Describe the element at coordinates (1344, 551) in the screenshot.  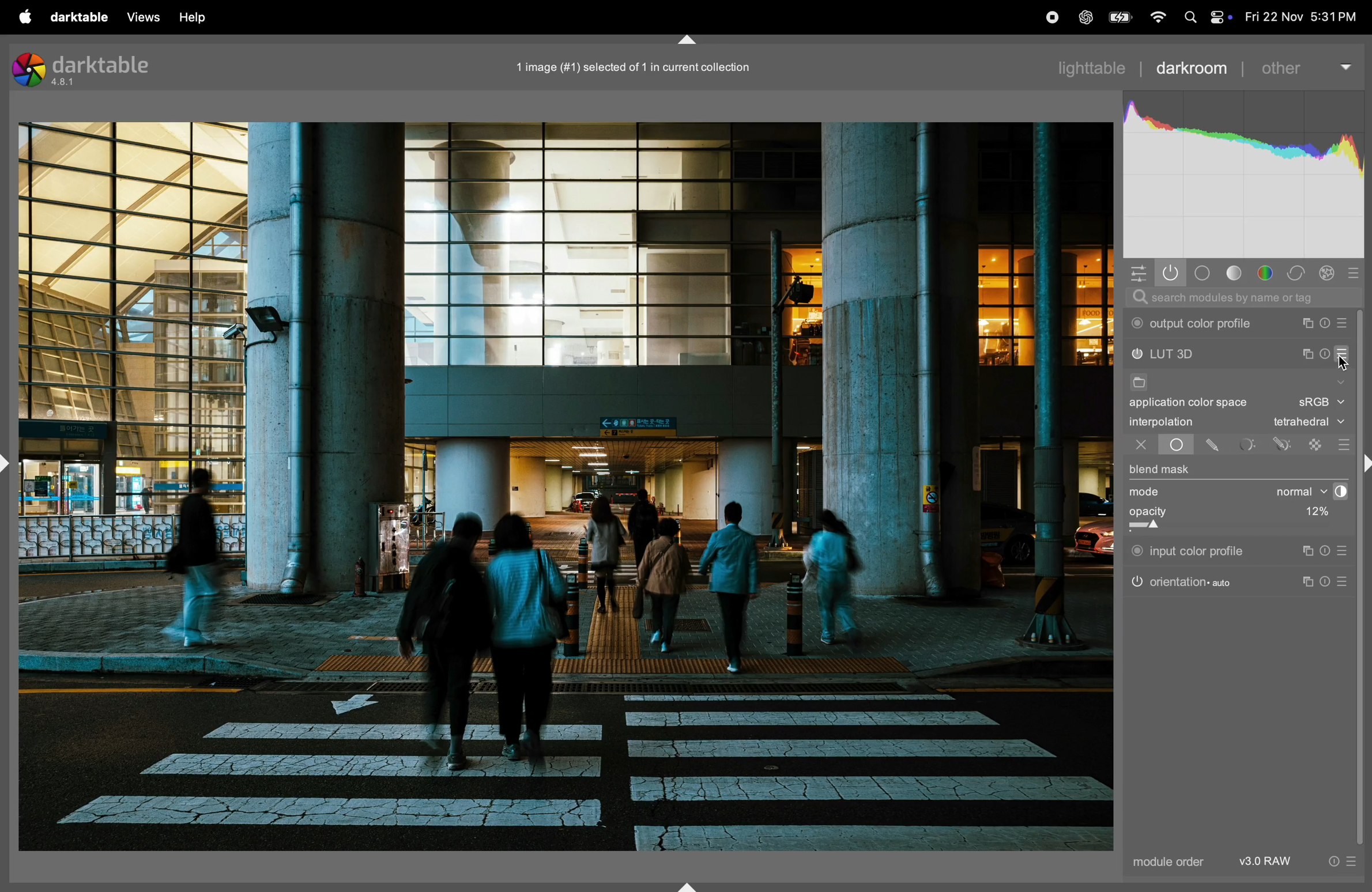
I see `presets` at that location.